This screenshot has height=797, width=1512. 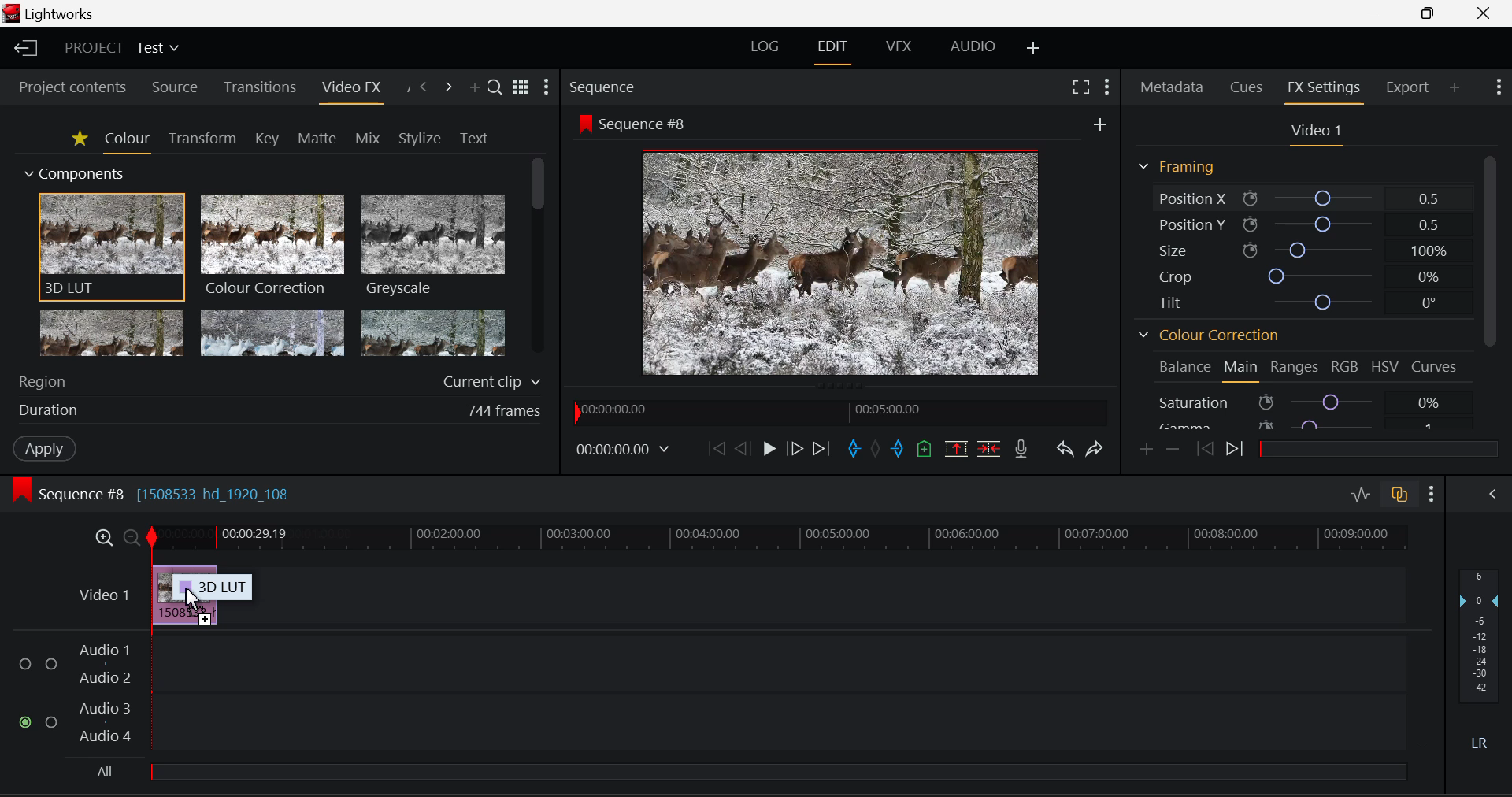 I want to click on Previous Panel, so click(x=425, y=85).